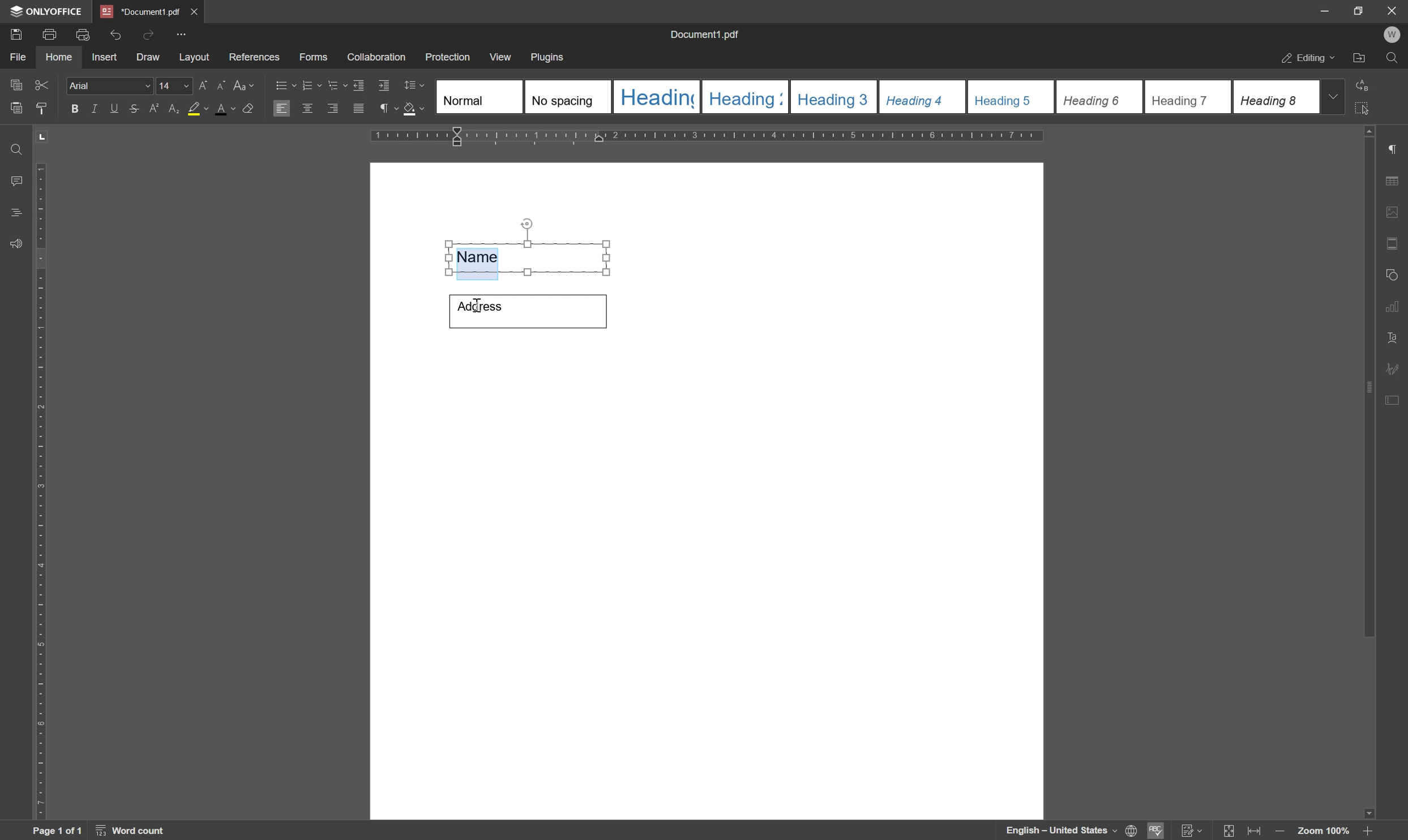  Describe the element at coordinates (191, 108) in the screenshot. I see `highlight color` at that location.